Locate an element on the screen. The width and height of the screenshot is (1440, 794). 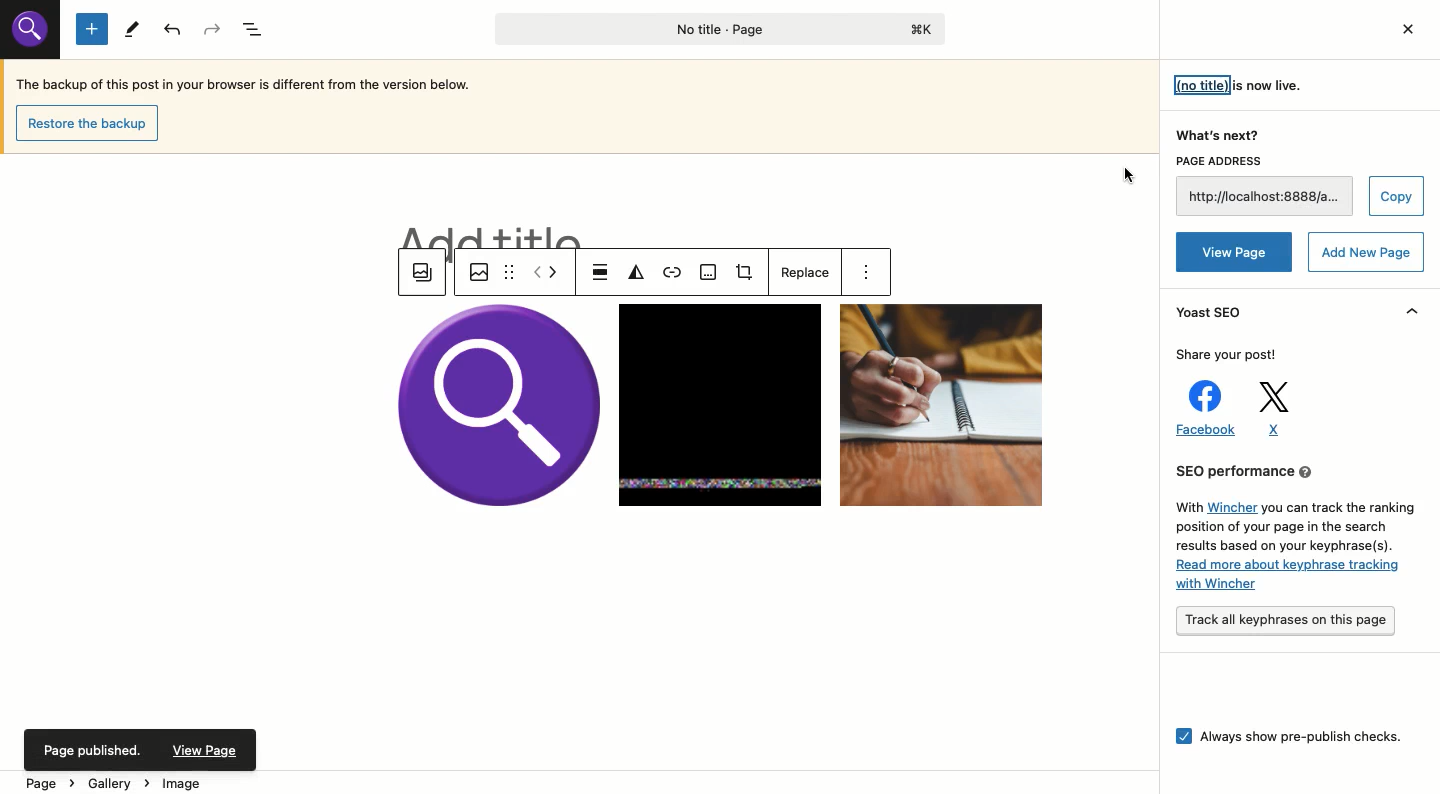
options is located at coordinates (872, 274).